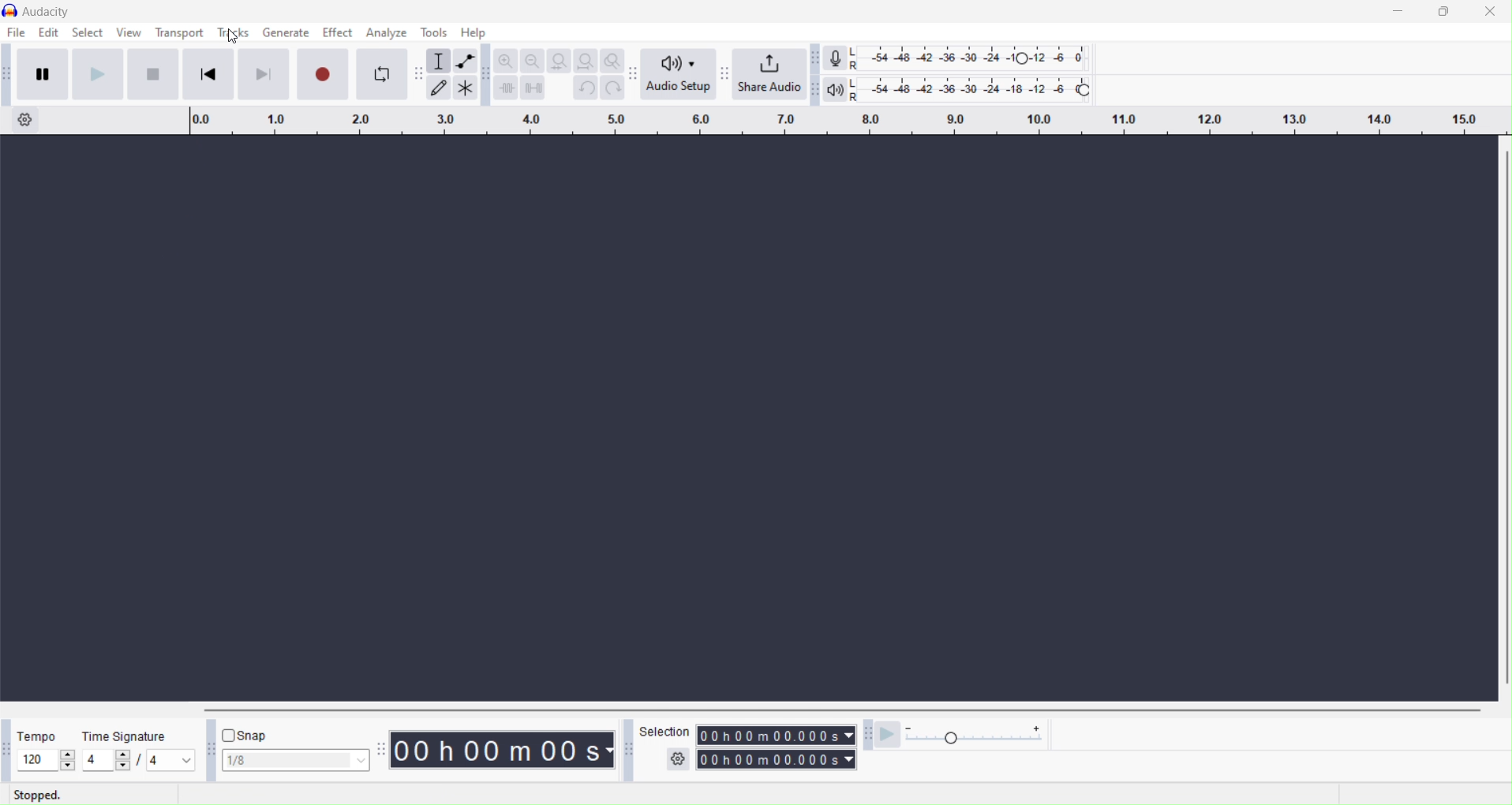  I want to click on Tools, so click(434, 32).